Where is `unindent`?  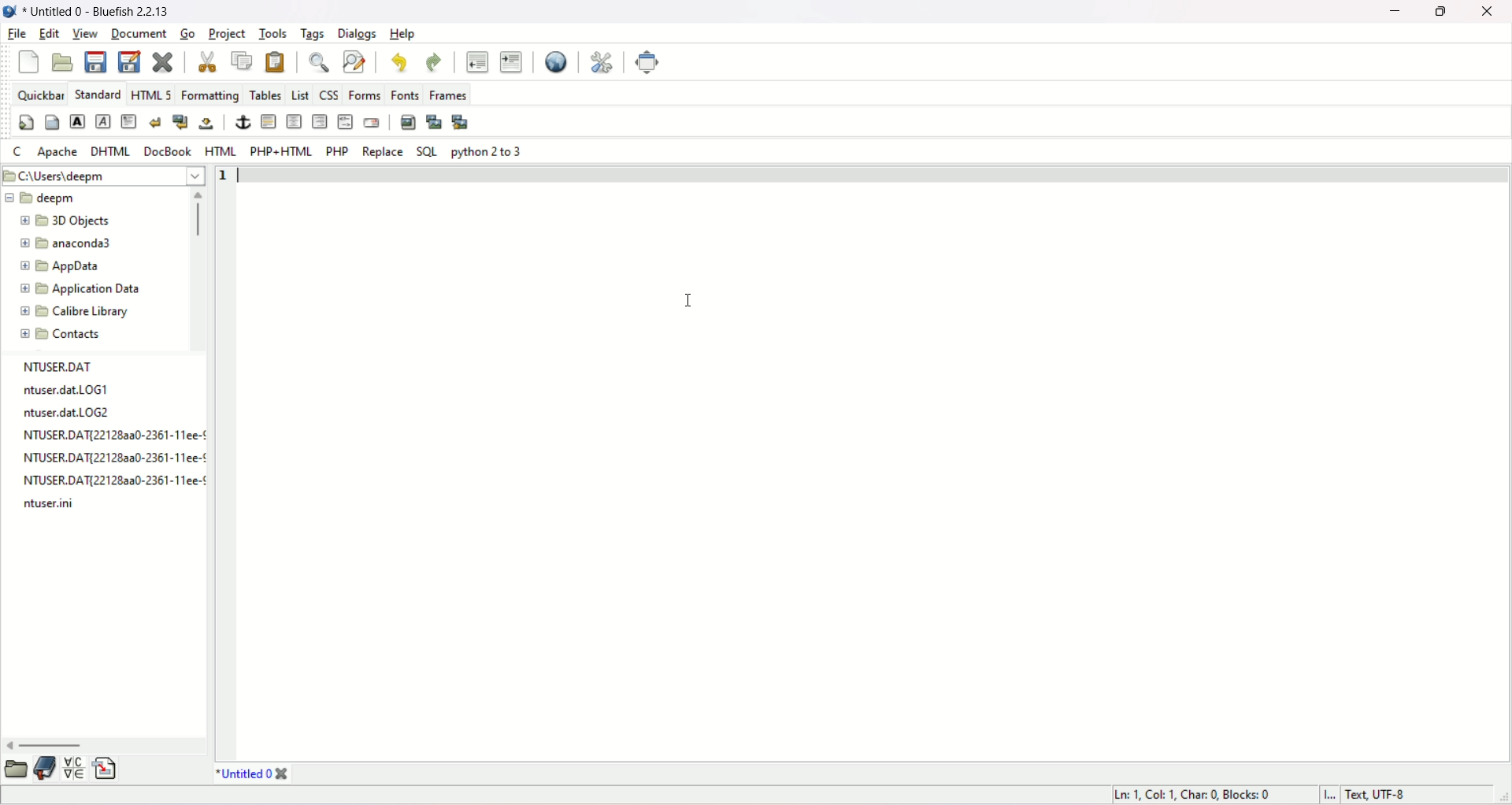 unindent is located at coordinates (477, 61).